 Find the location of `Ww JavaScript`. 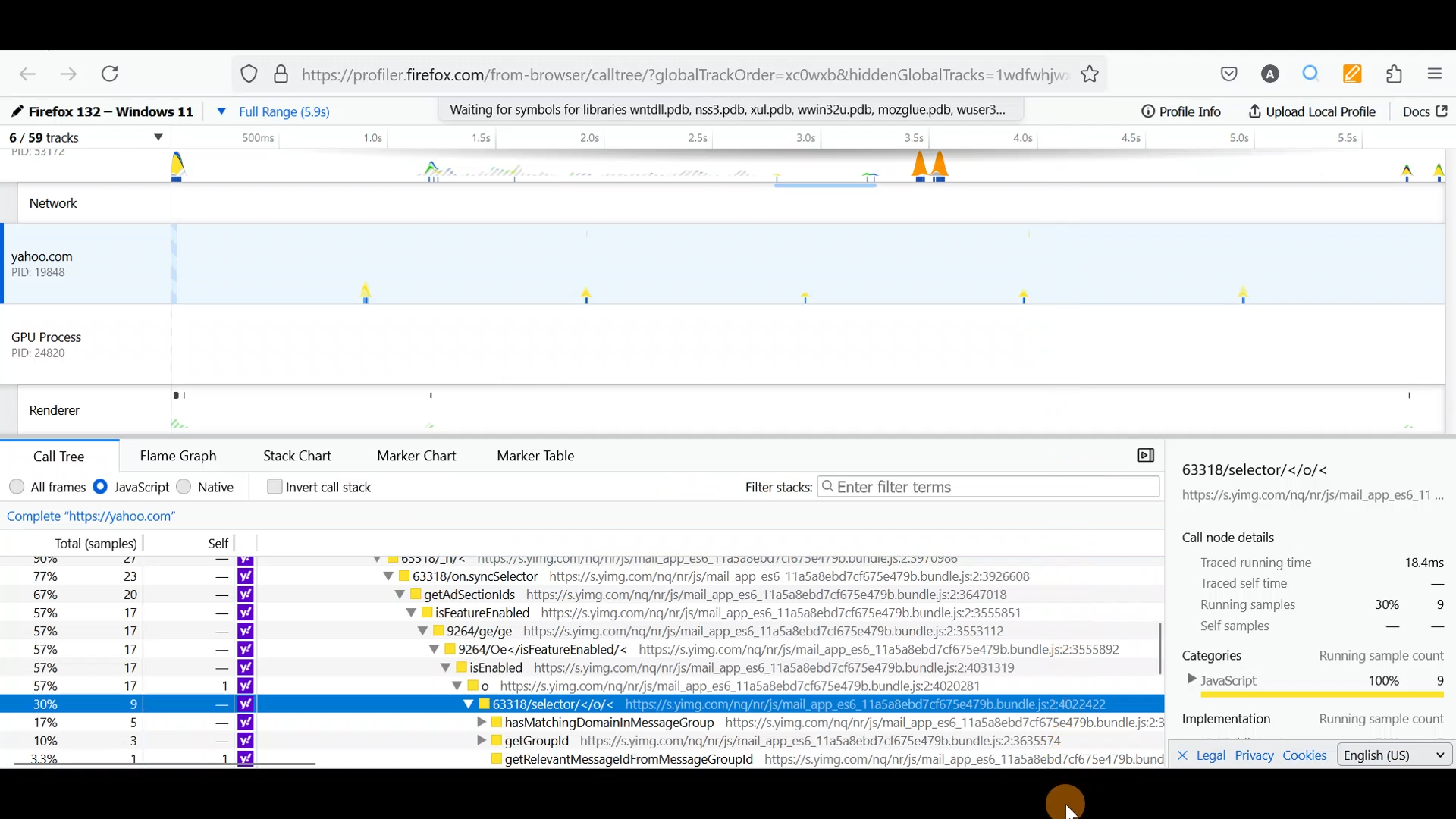

Ww JavaScript is located at coordinates (134, 490).